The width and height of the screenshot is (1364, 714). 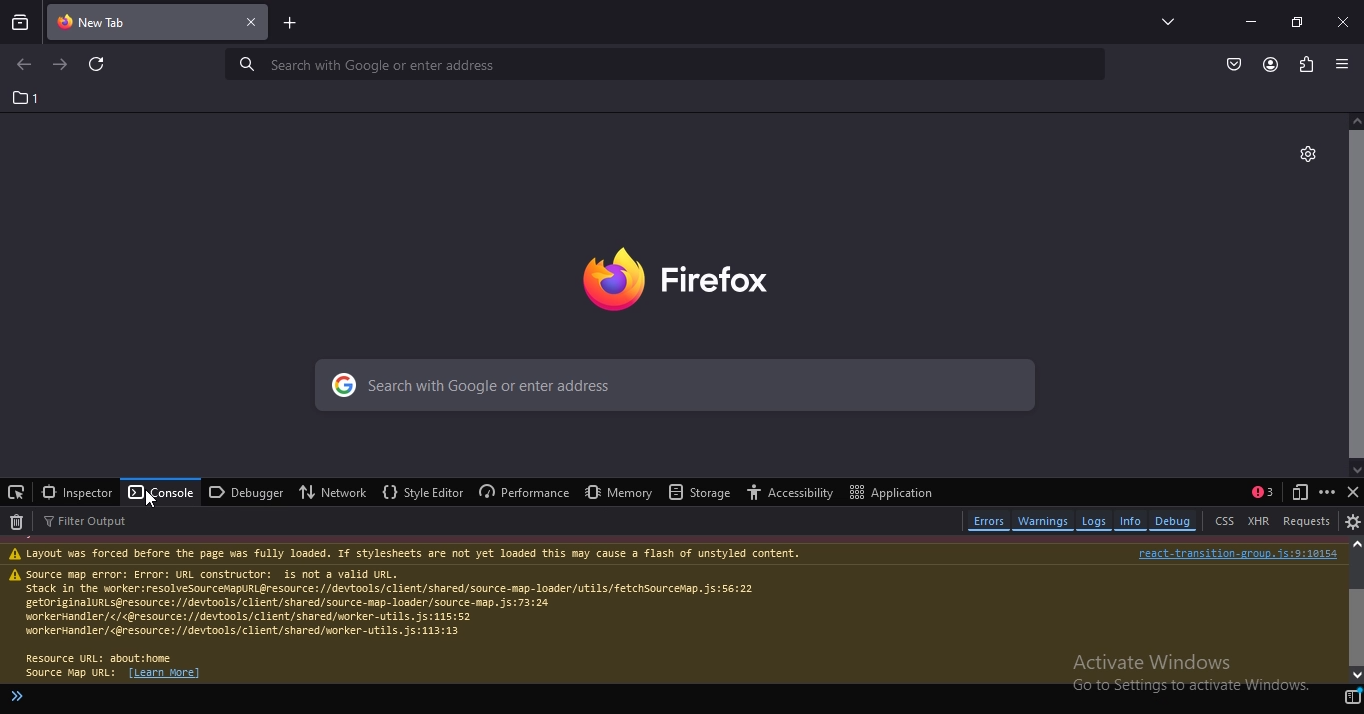 I want to click on filter output, so click(x=95, y=522).